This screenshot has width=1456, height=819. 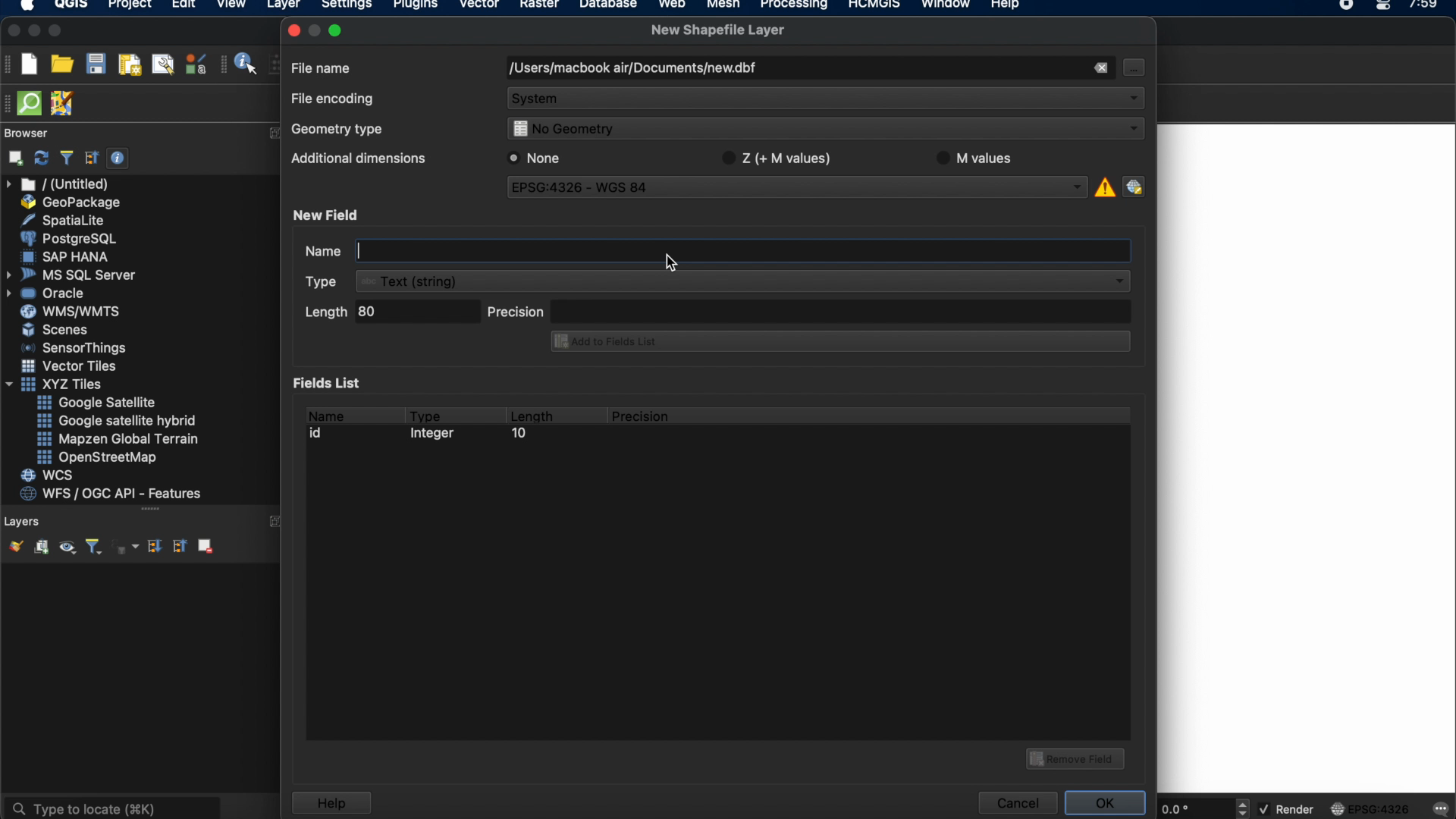 I want to click on style manager, so click(x=196, y=64).